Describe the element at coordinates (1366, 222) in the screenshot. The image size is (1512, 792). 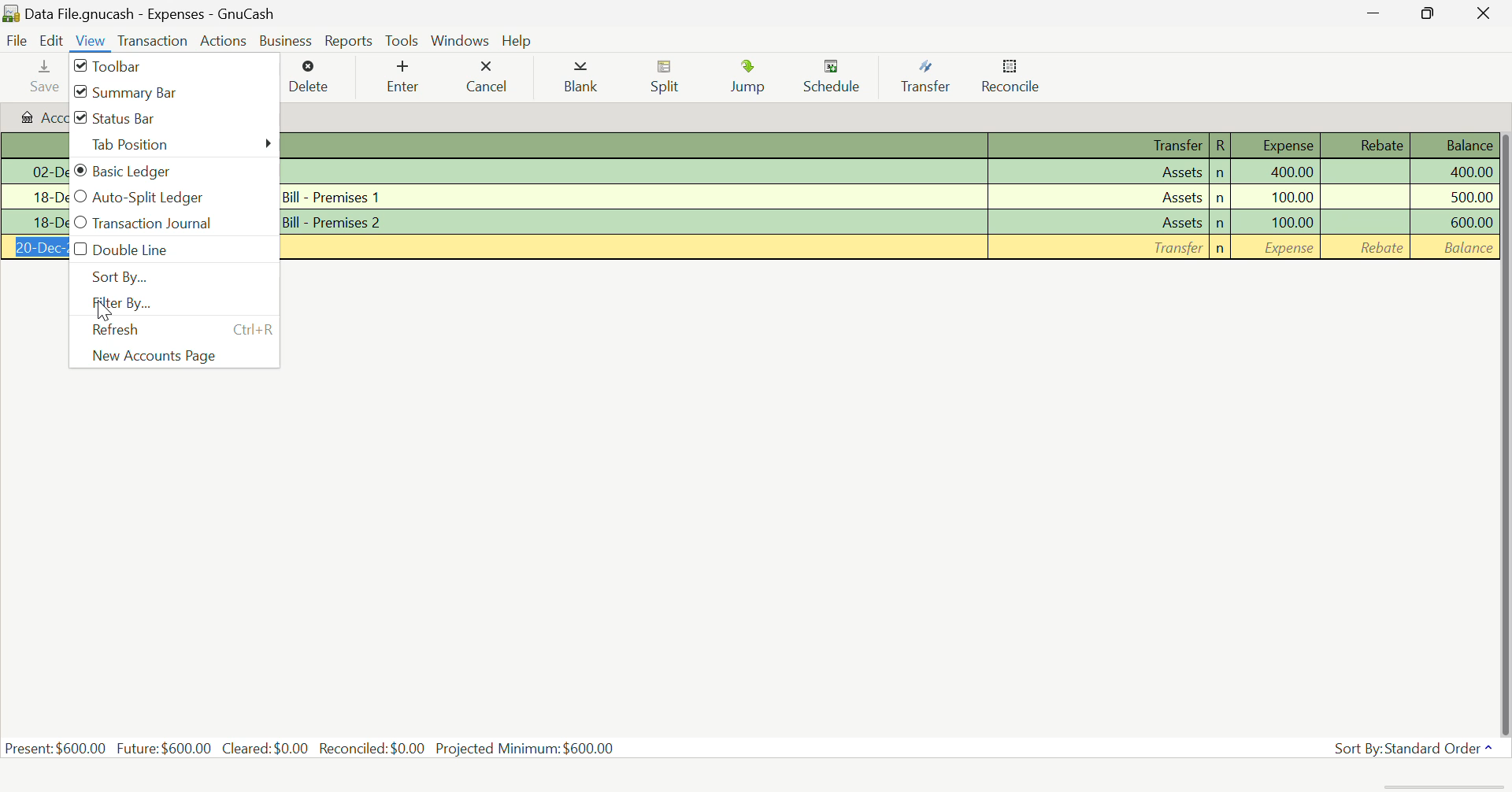
I see `Rebate` at that location.